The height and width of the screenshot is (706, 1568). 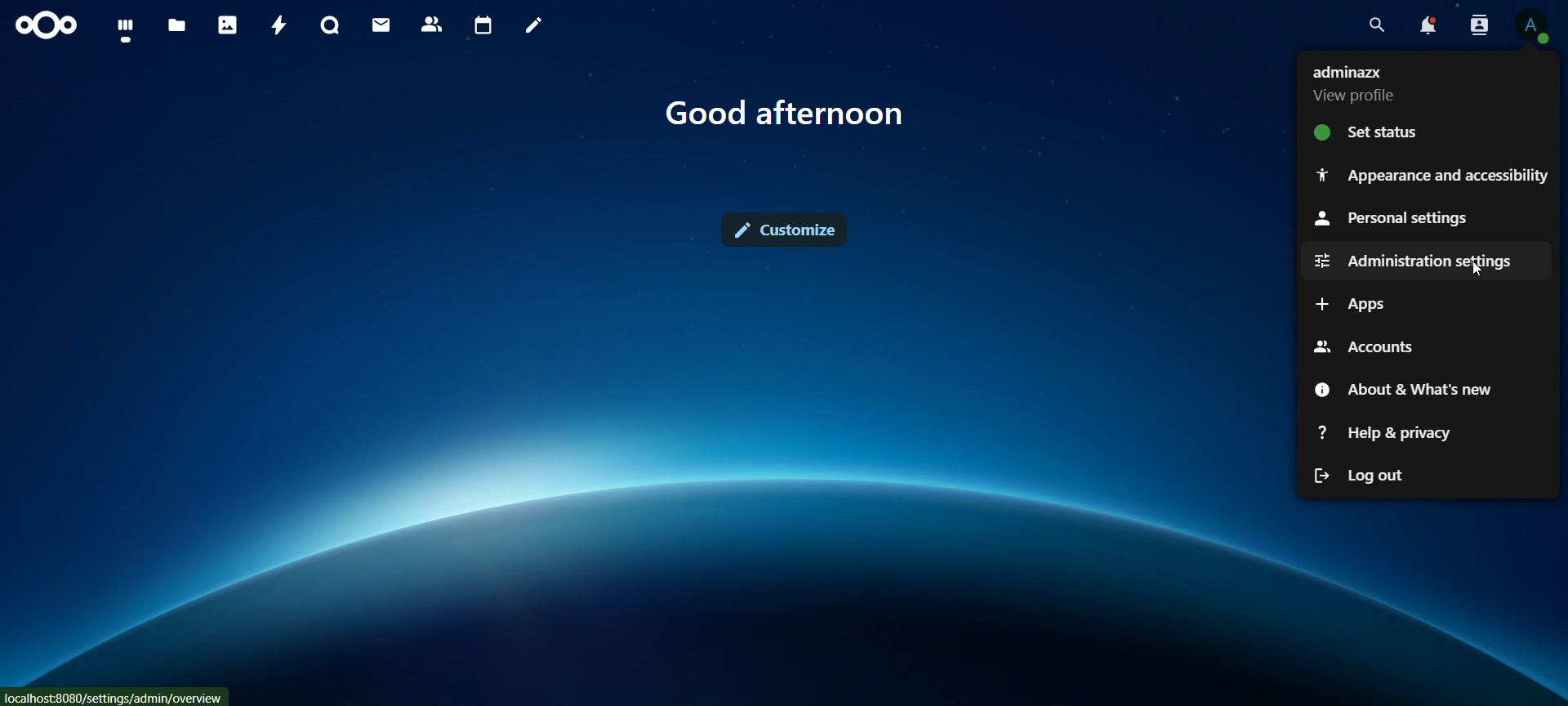 I want to click on appearance and accessibilty, so click(x=1432, y=176).